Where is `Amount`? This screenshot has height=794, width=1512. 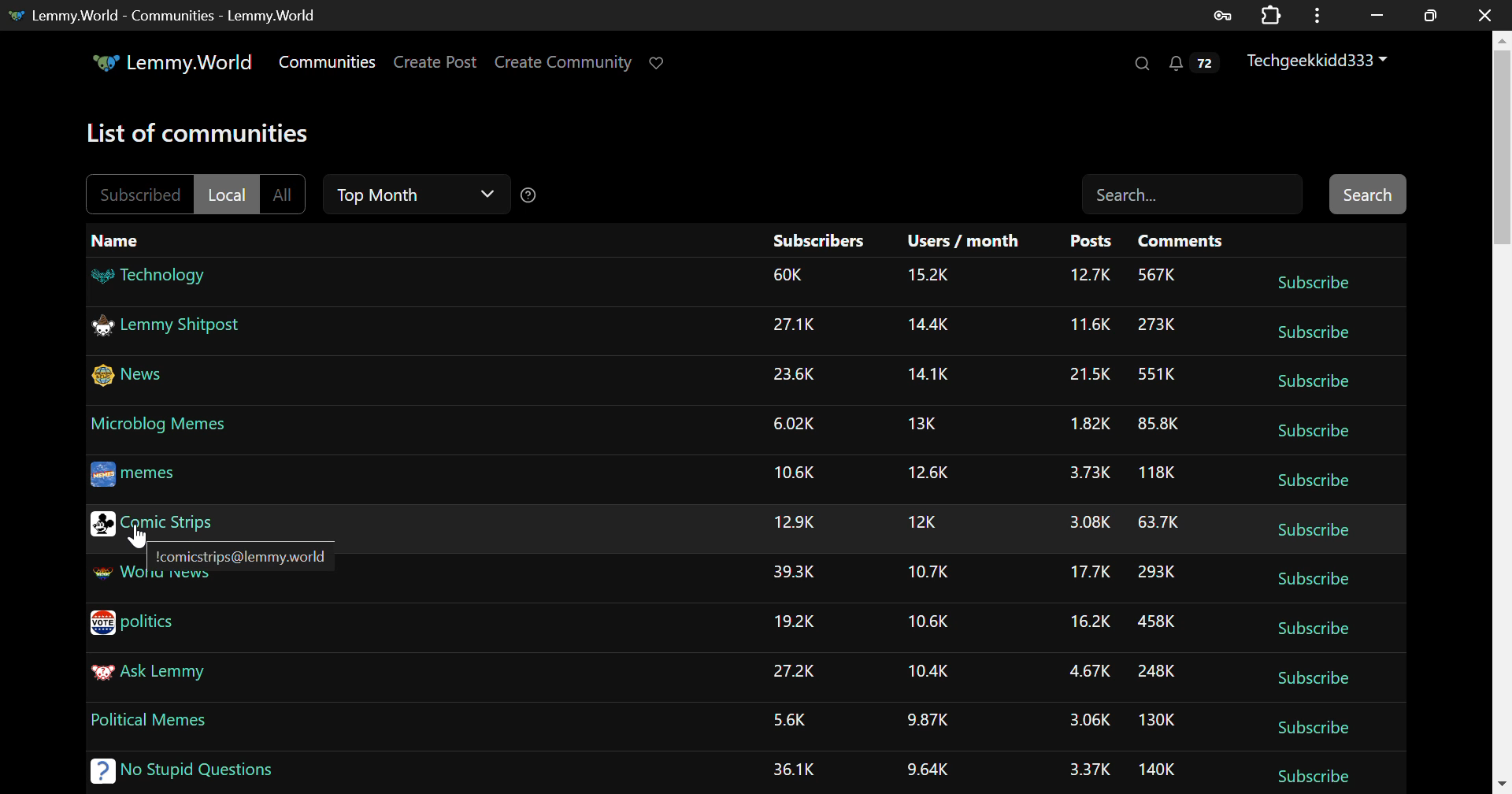
Amount is located at coordinates (791, 768).